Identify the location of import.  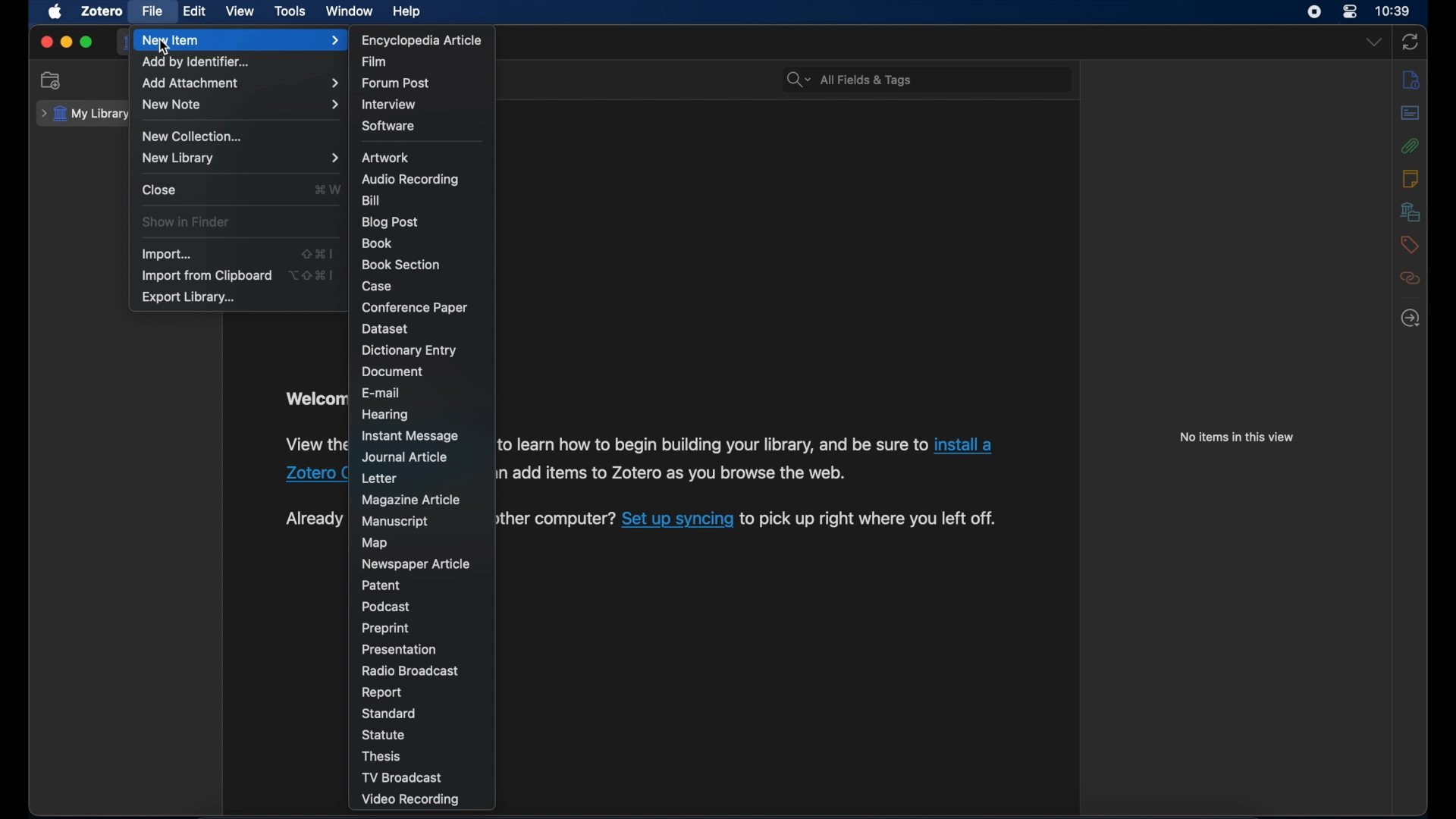
(168, 255).